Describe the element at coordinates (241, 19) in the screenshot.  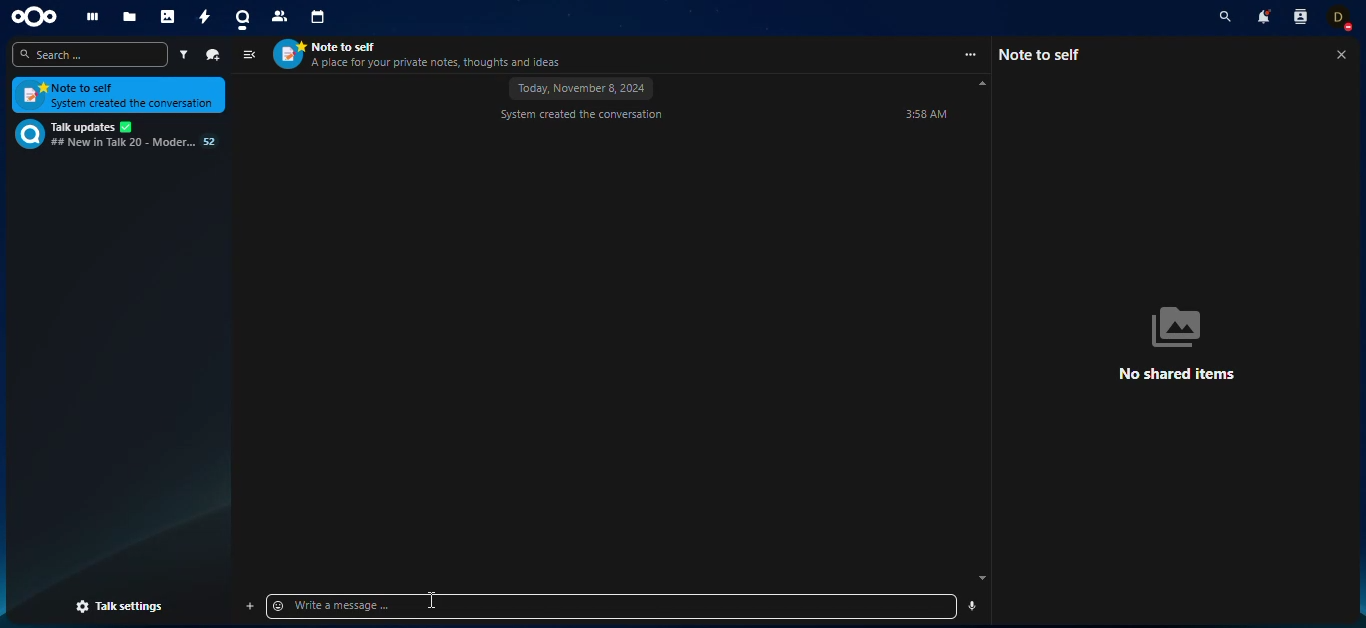
I see `talk` at that location.